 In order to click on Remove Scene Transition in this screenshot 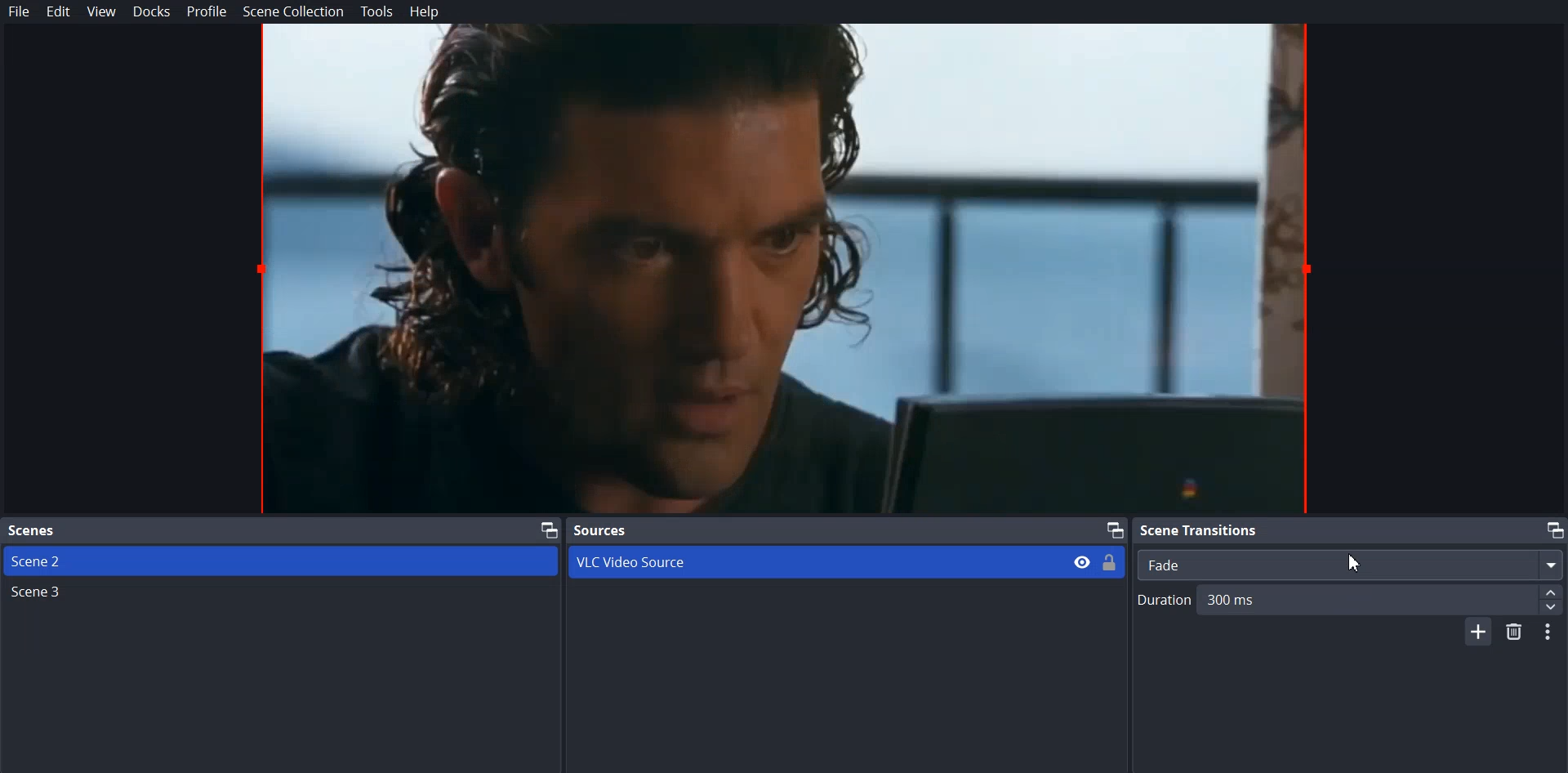, I will do `click(1515, 633)`.